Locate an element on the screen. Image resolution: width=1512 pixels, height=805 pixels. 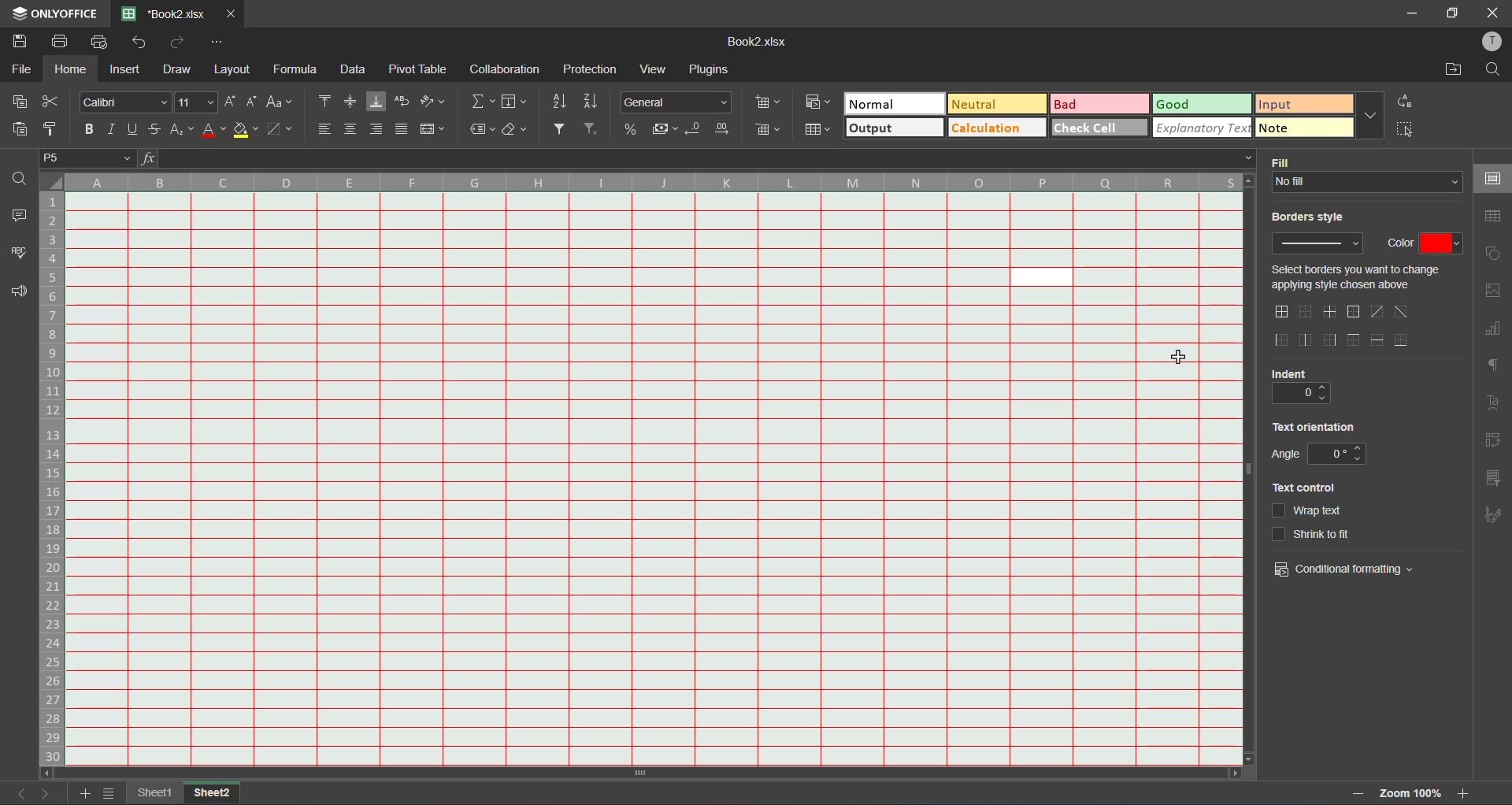
text control is located at coordinates (1303, 488).